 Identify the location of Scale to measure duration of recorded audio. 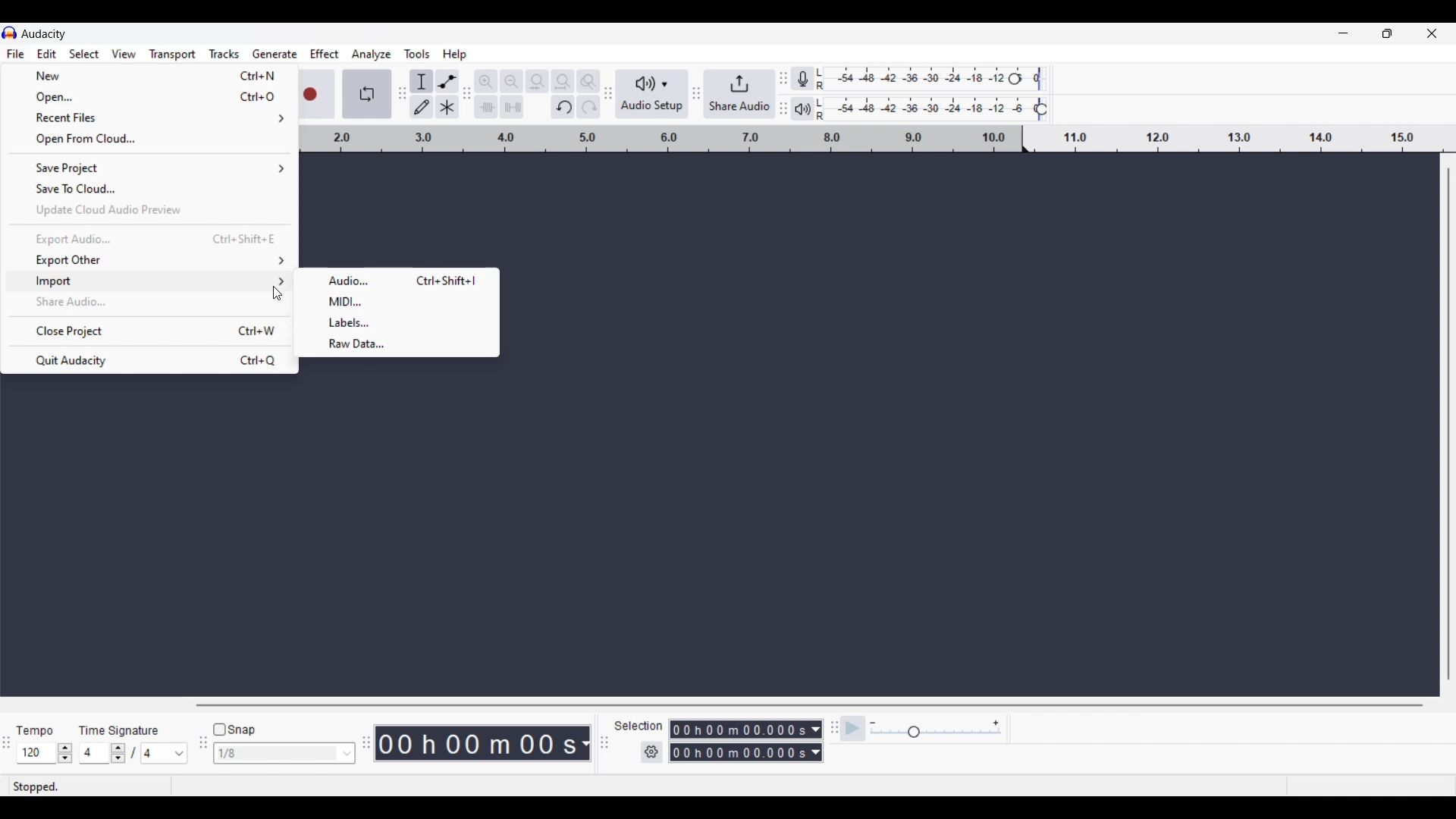
(878, 140).